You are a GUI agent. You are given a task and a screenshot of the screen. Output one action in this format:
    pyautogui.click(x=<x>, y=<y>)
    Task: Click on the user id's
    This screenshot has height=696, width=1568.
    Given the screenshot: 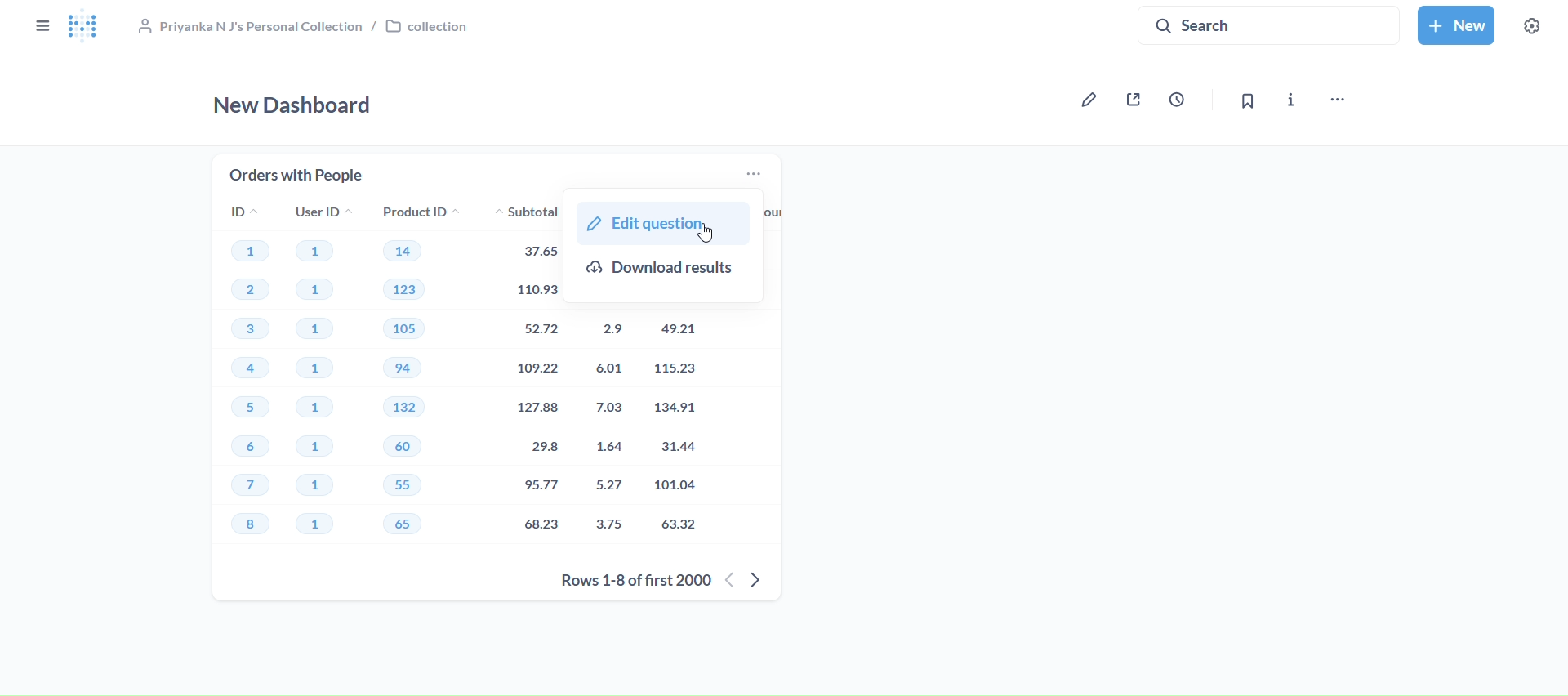 What is the action you would take?
    pyautogui.click(x=321, y=380)
    